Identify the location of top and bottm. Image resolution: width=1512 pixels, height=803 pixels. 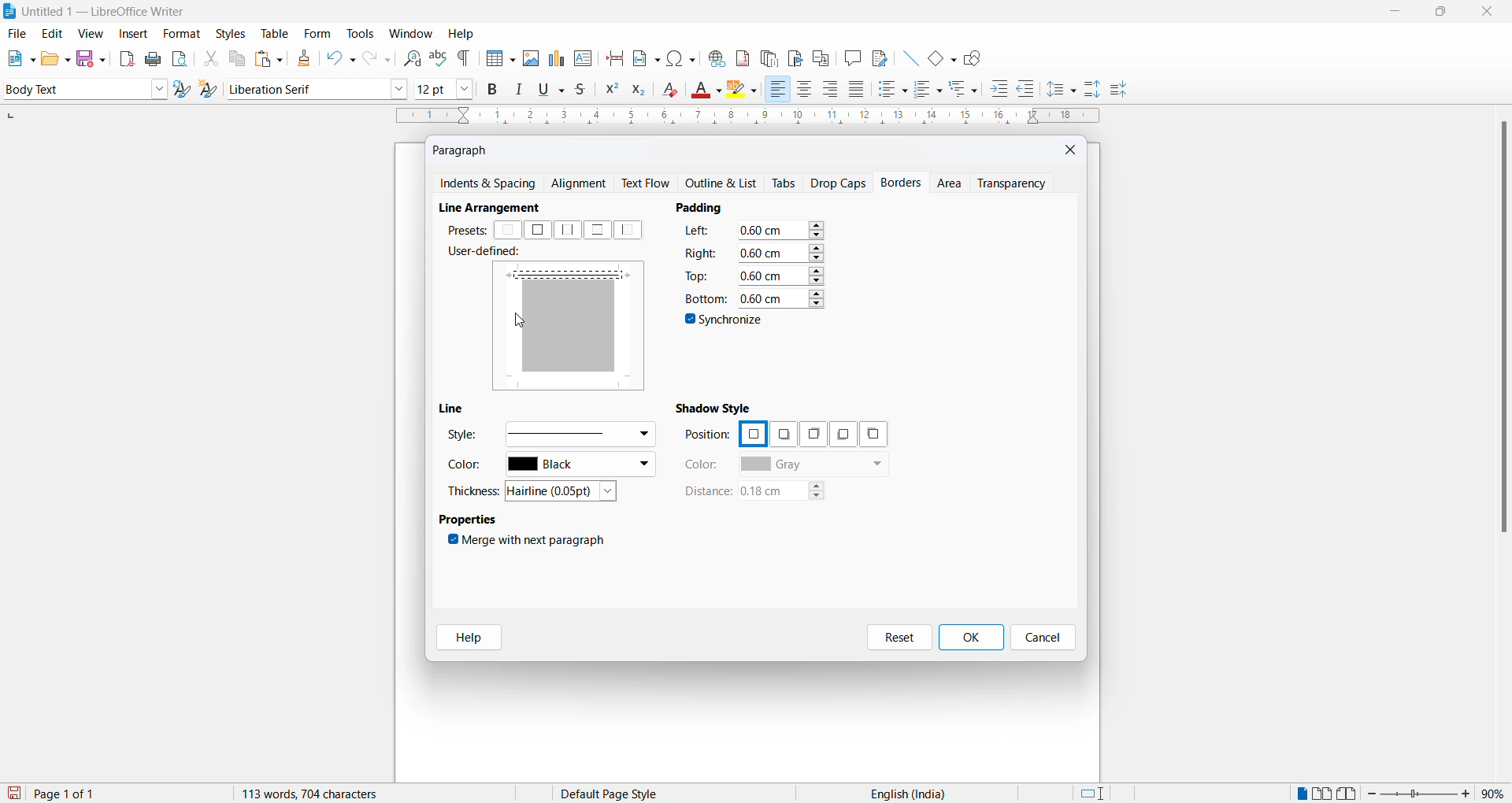
(597, 230).